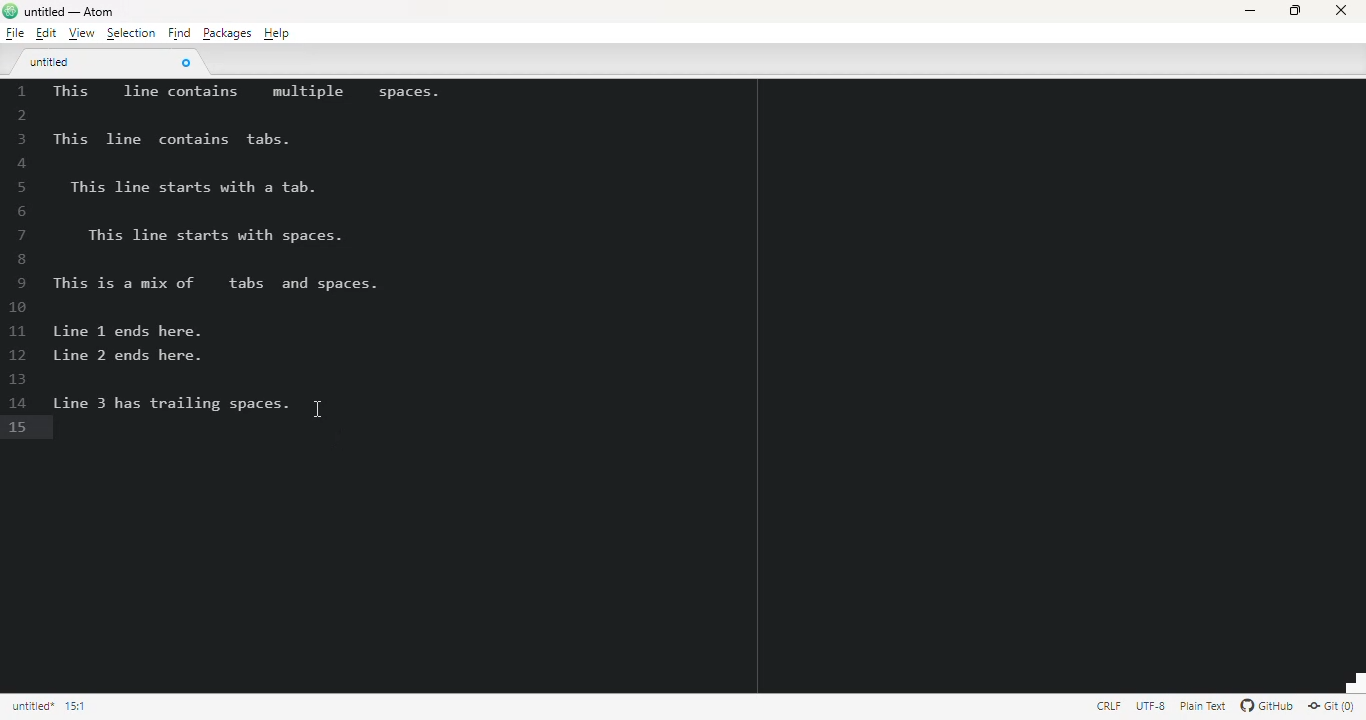 This screenshot has height=720, width=1366. Describe the element at coordinates (15, 33) in the screenshot. I see `file` at that location.